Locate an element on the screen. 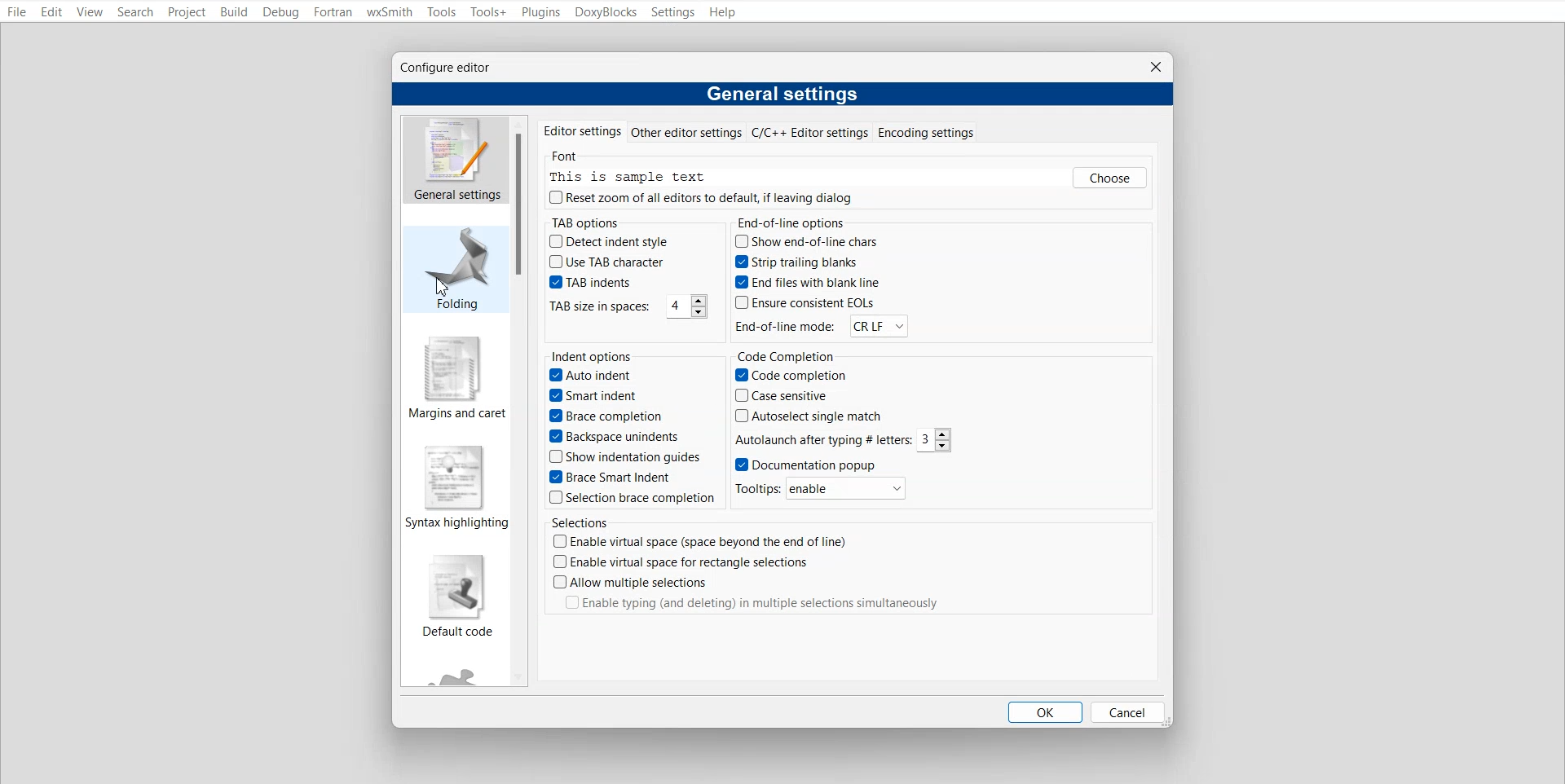  Vertical scroll bar is located at coordinates (523, 204).